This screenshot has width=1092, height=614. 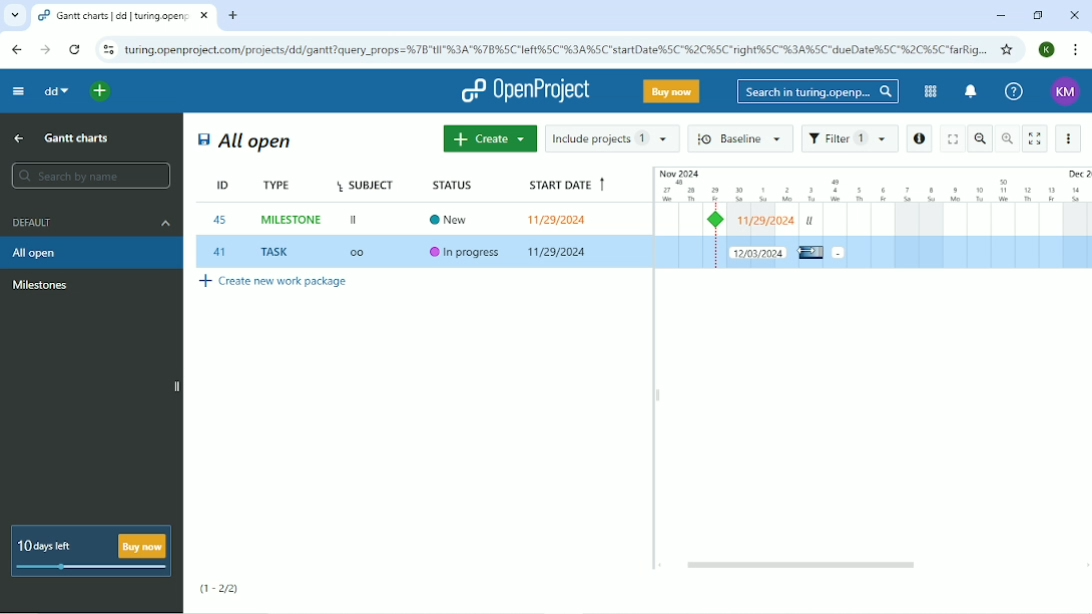 What do you see at coordinates (278, 252) in the screenshot?
I see `TASK` at bounding box center [278, 252].